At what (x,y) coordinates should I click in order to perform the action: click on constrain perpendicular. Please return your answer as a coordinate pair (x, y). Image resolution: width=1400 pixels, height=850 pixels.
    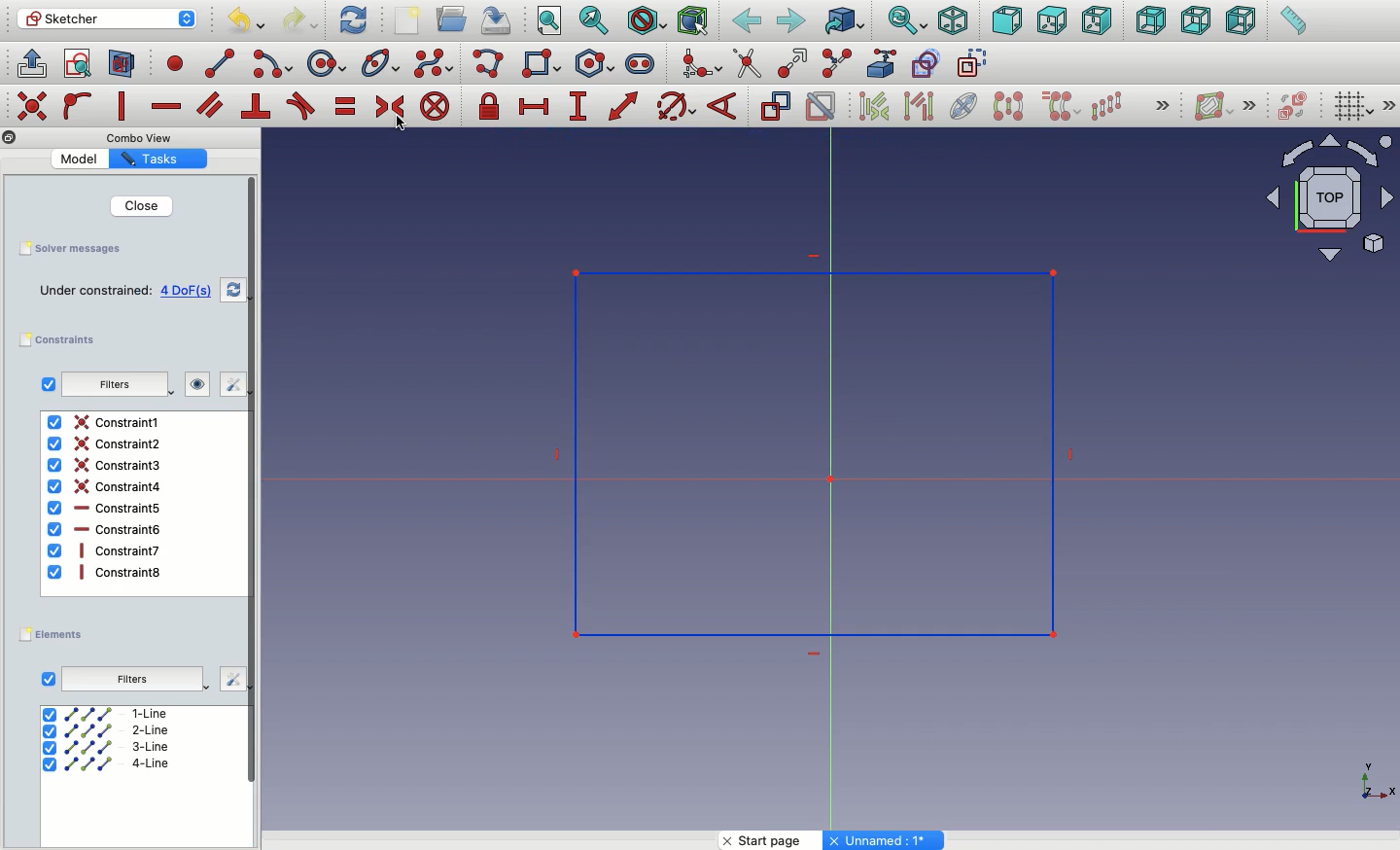
    Looking at the image, I should click on (258, 107).